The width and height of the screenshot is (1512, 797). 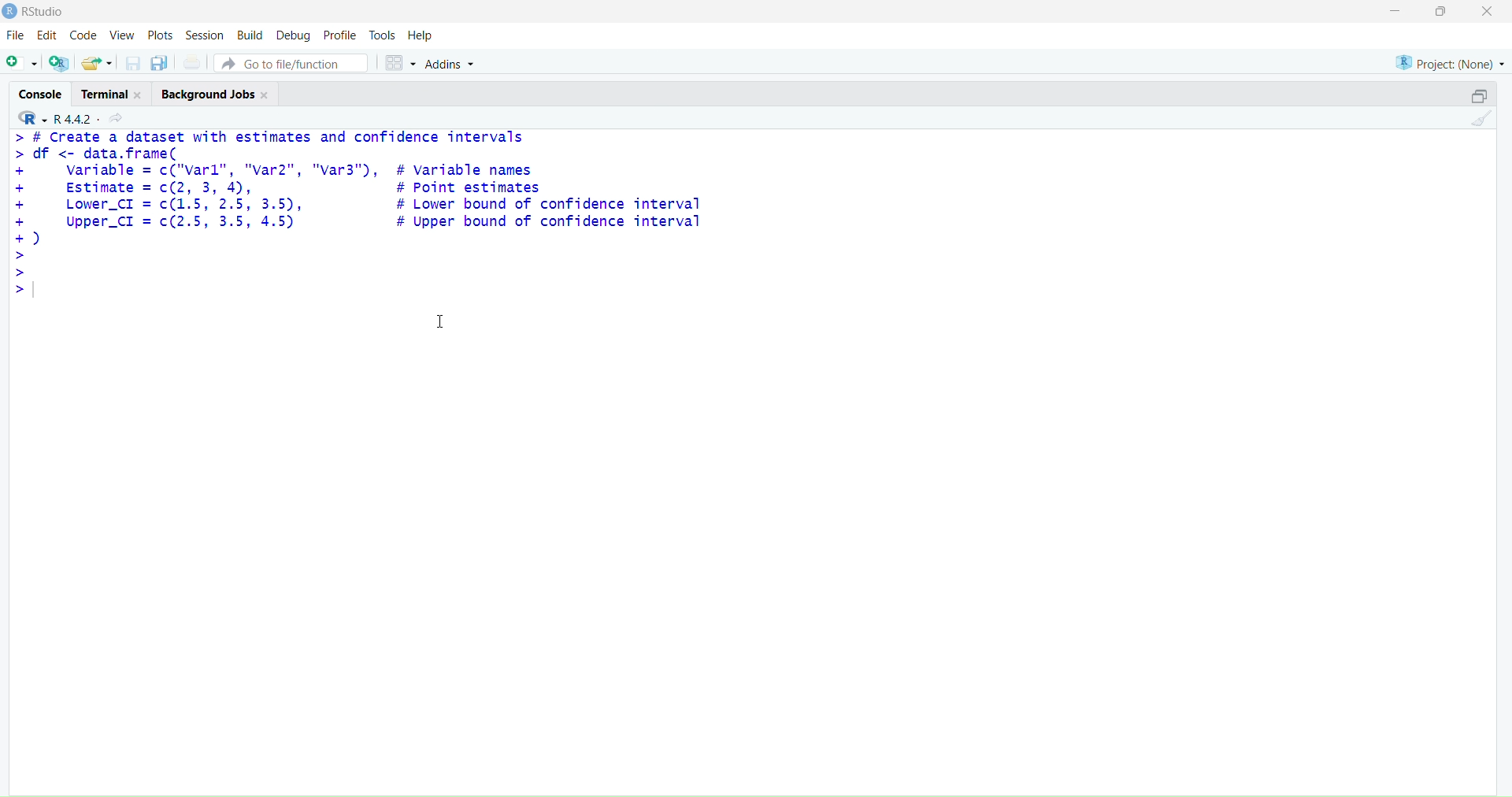 What do you see at coordinates (250, 35) in the screenshot?
I see `Build` at bounding box center [250, 35].